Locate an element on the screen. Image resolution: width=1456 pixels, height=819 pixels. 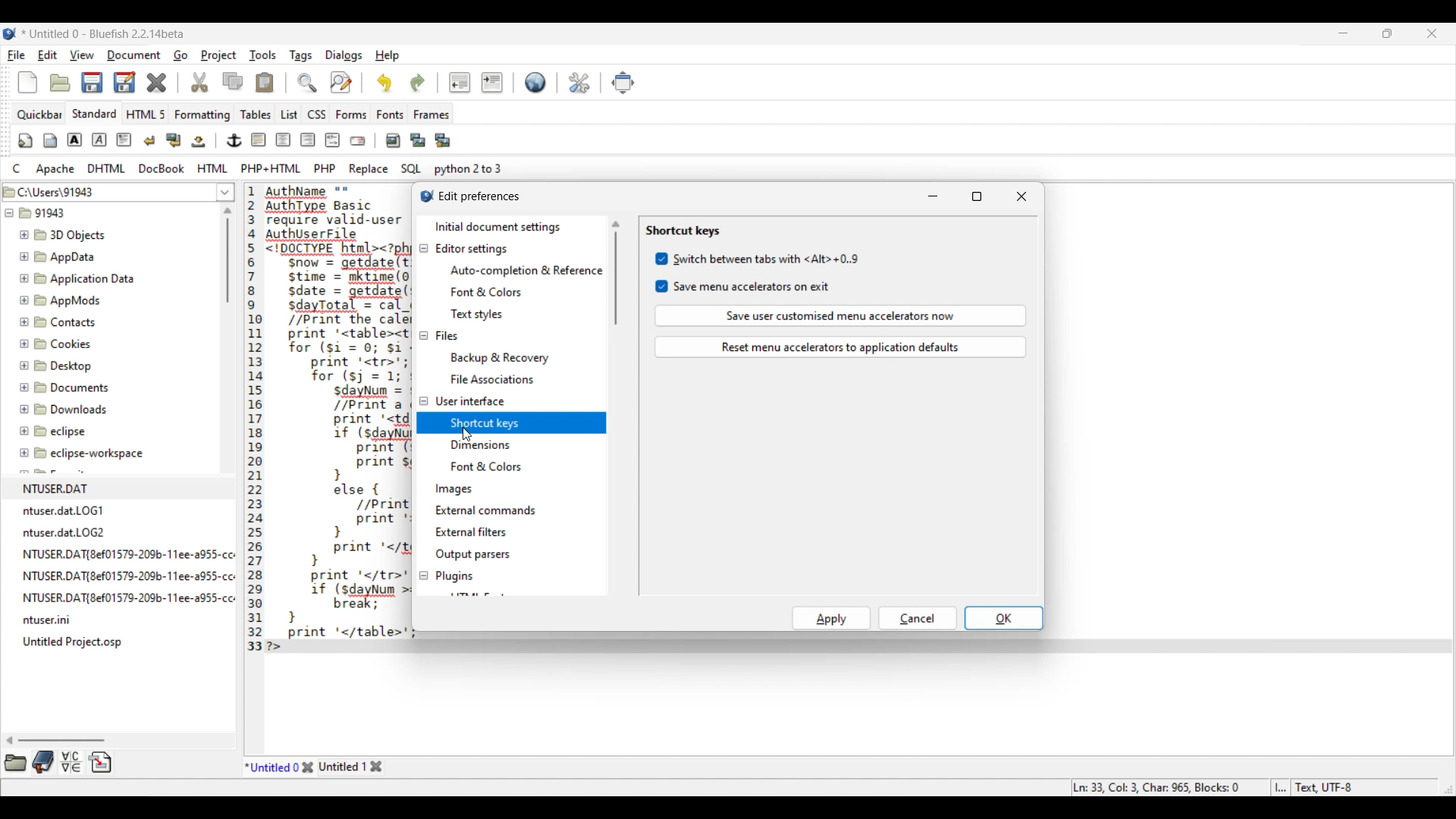
Cursor on shortcut keys is located at coordinates (466, 434).